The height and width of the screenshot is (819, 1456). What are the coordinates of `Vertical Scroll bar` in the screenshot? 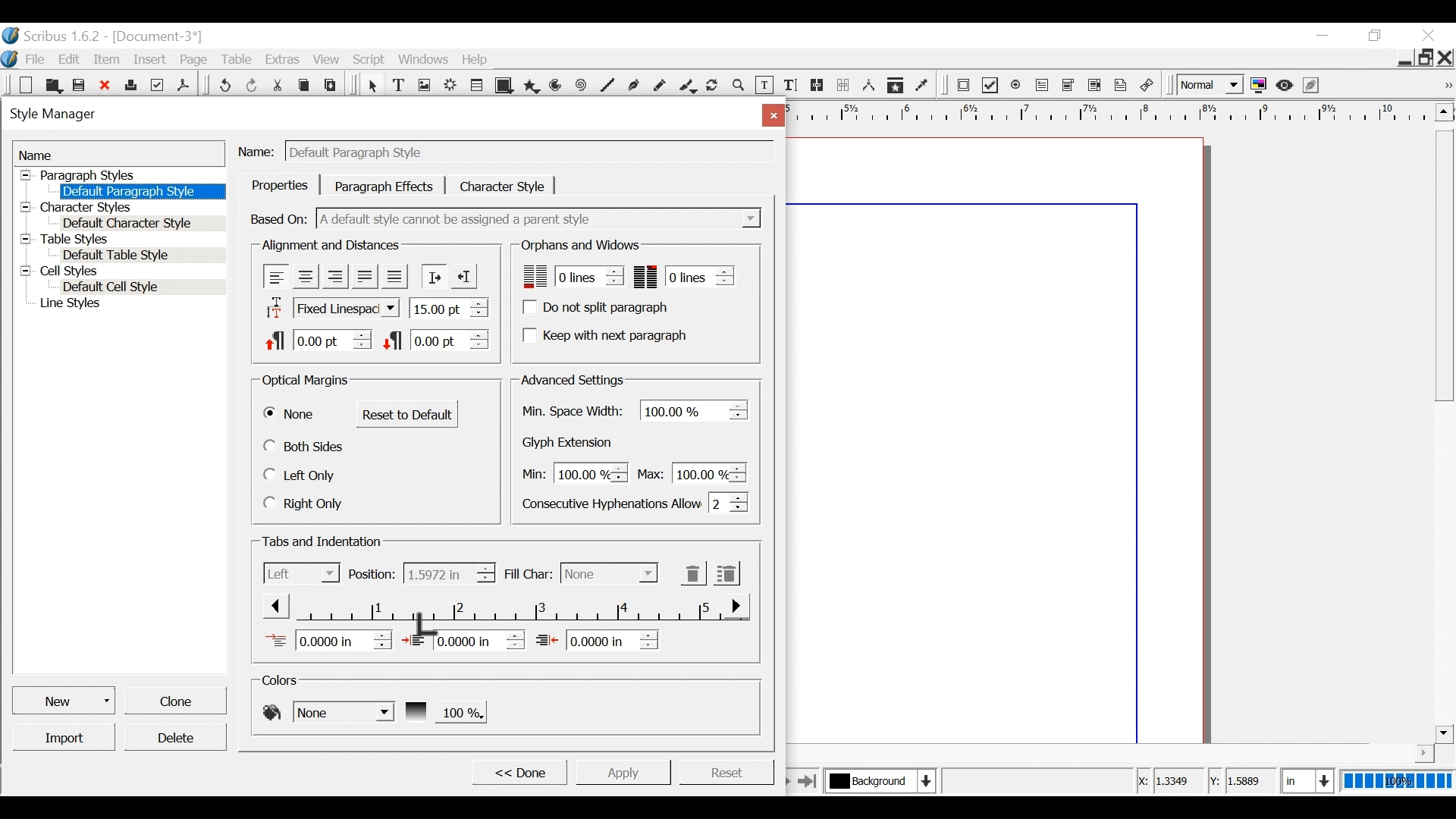 It's located at (1444, 264).